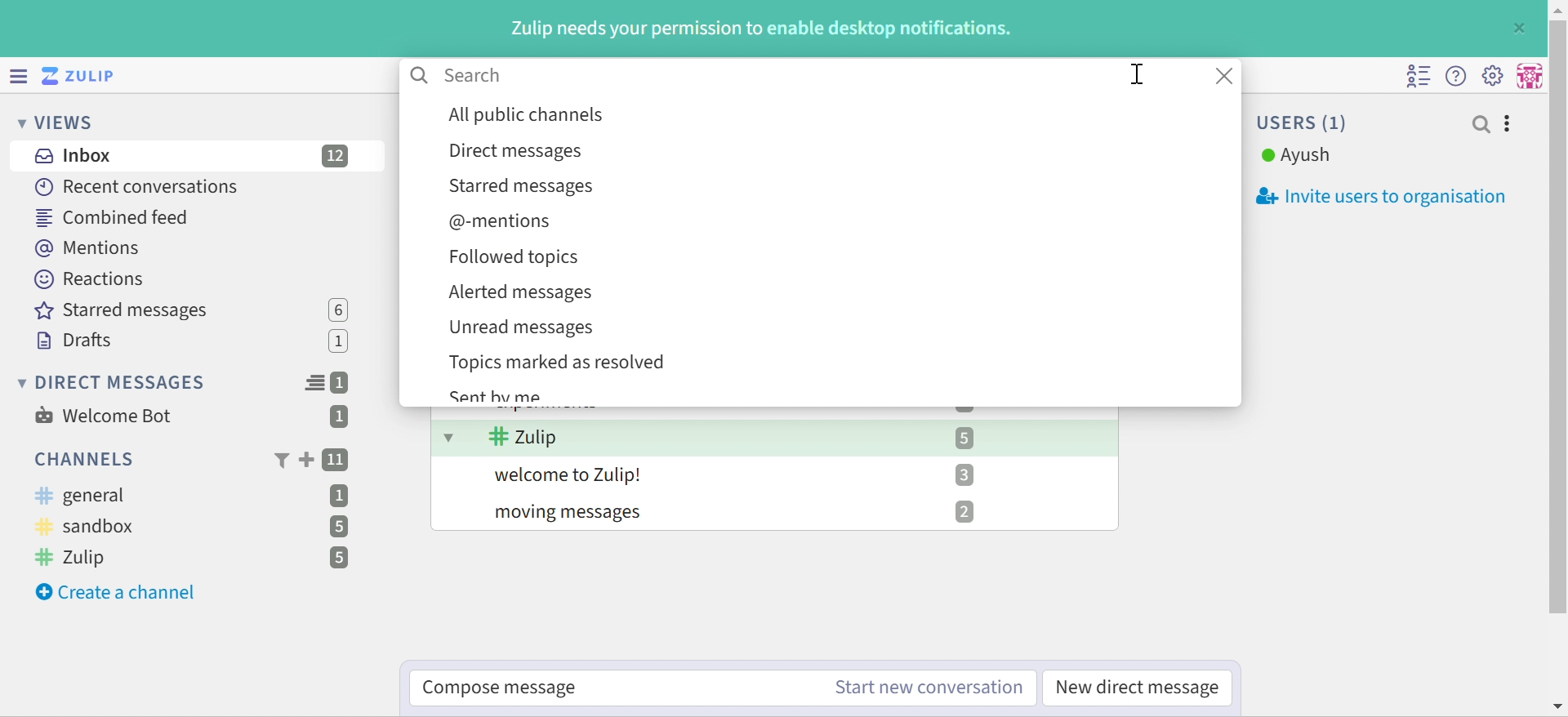 This screenshot has width=1568, height=717. Describe the element at coordinates (1531, 74) in the screenshot. I see `Personal menu` at that location.